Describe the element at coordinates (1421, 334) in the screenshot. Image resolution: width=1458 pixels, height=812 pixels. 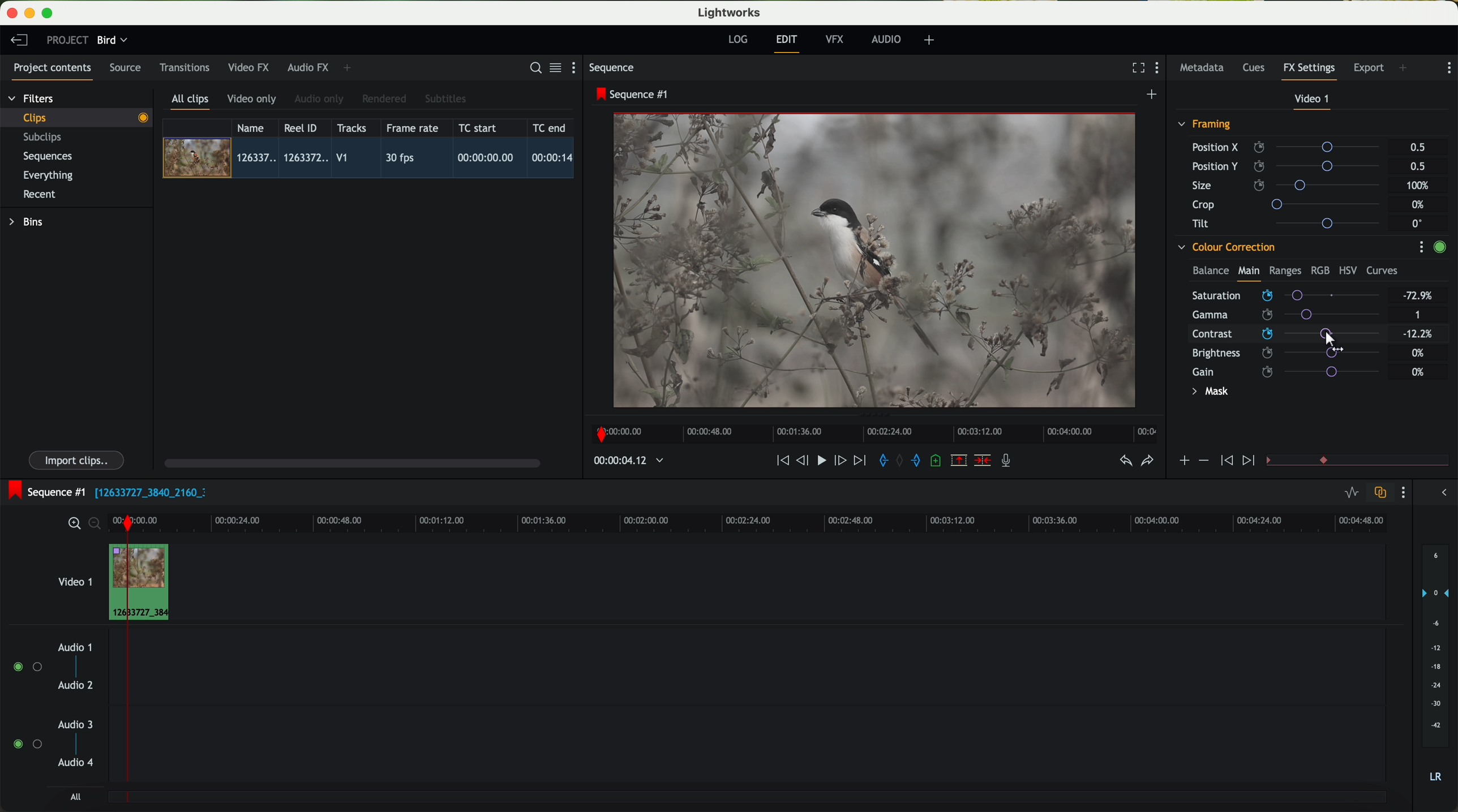
I see `40.1%` at that location.